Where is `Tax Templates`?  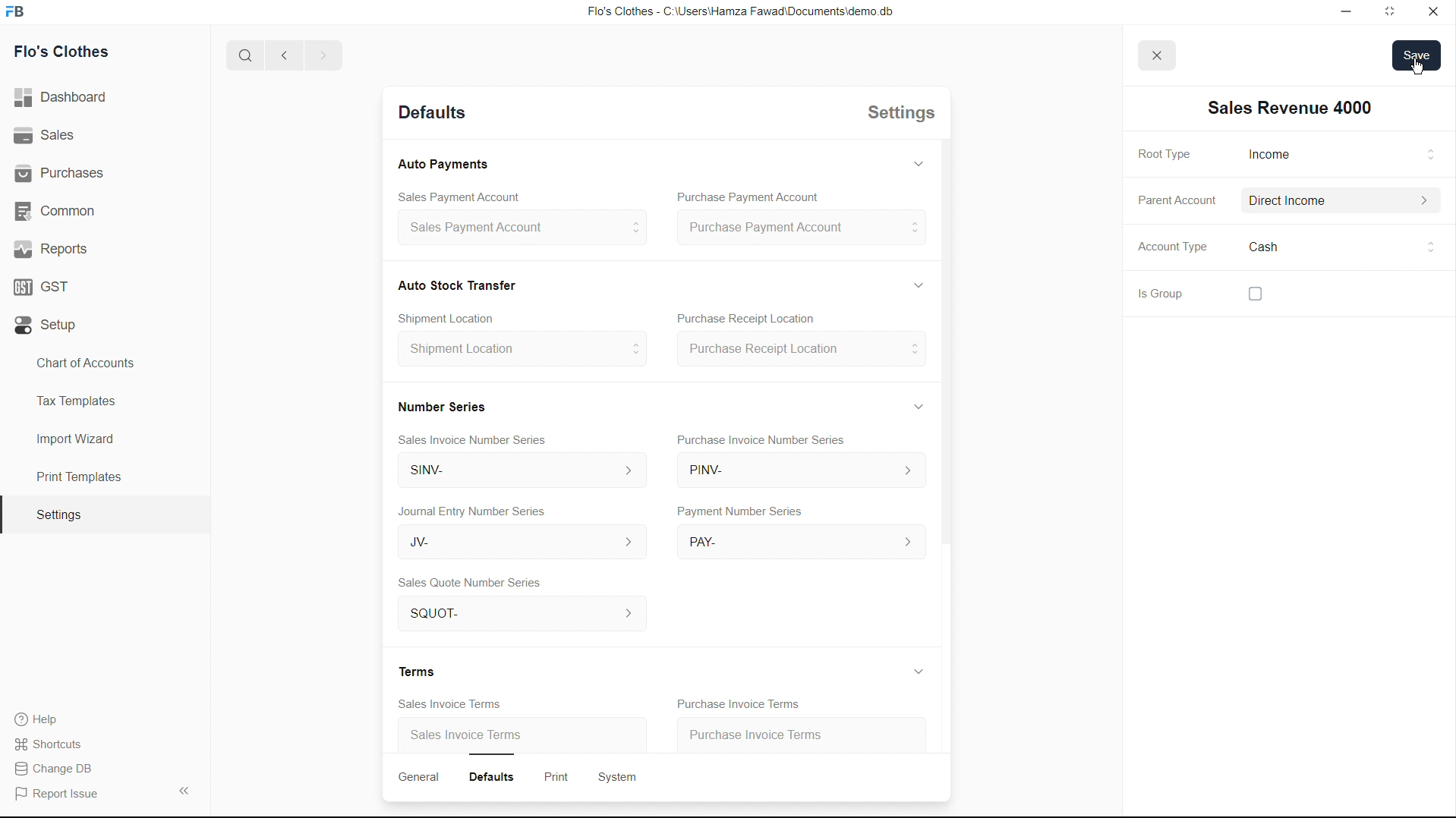
Tax Templates is located at coordinates (73, 398).